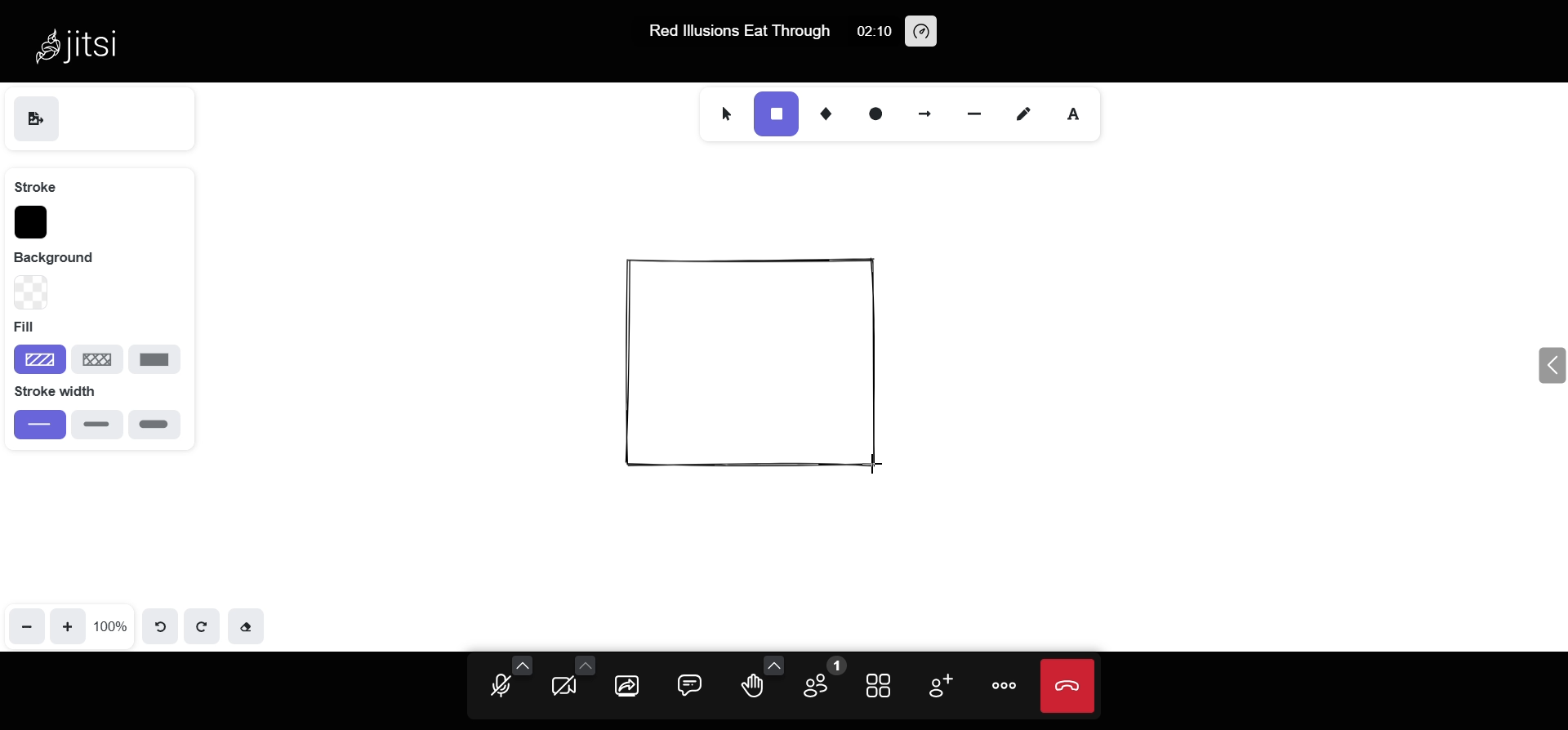 This screenshot has height=730, width=1568. Describe the element at coordinates (584, 664) in the screenshot. I see `more camera options` at that location.